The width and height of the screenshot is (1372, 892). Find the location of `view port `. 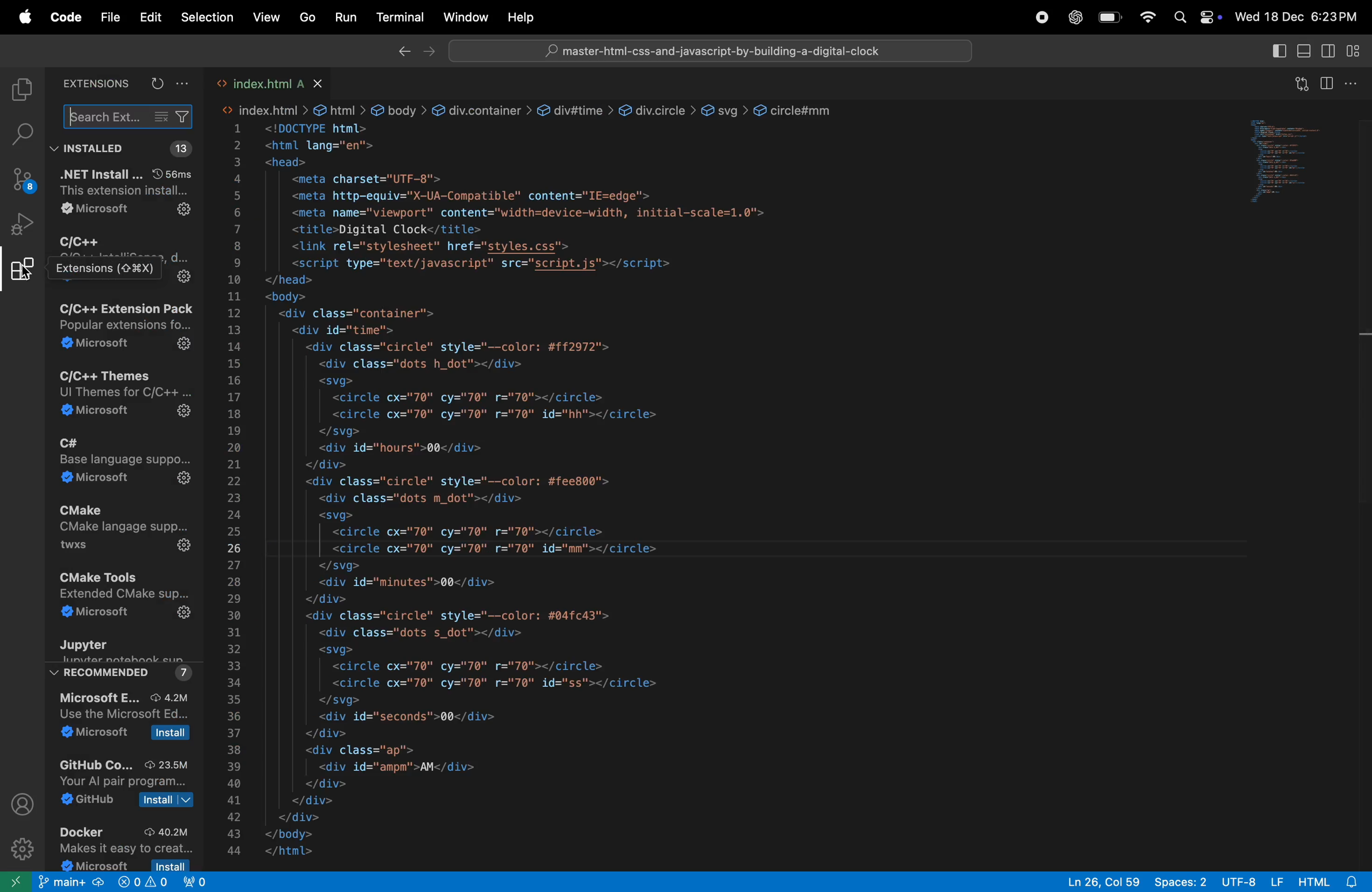

view port  is located at coordinates (203, 883).